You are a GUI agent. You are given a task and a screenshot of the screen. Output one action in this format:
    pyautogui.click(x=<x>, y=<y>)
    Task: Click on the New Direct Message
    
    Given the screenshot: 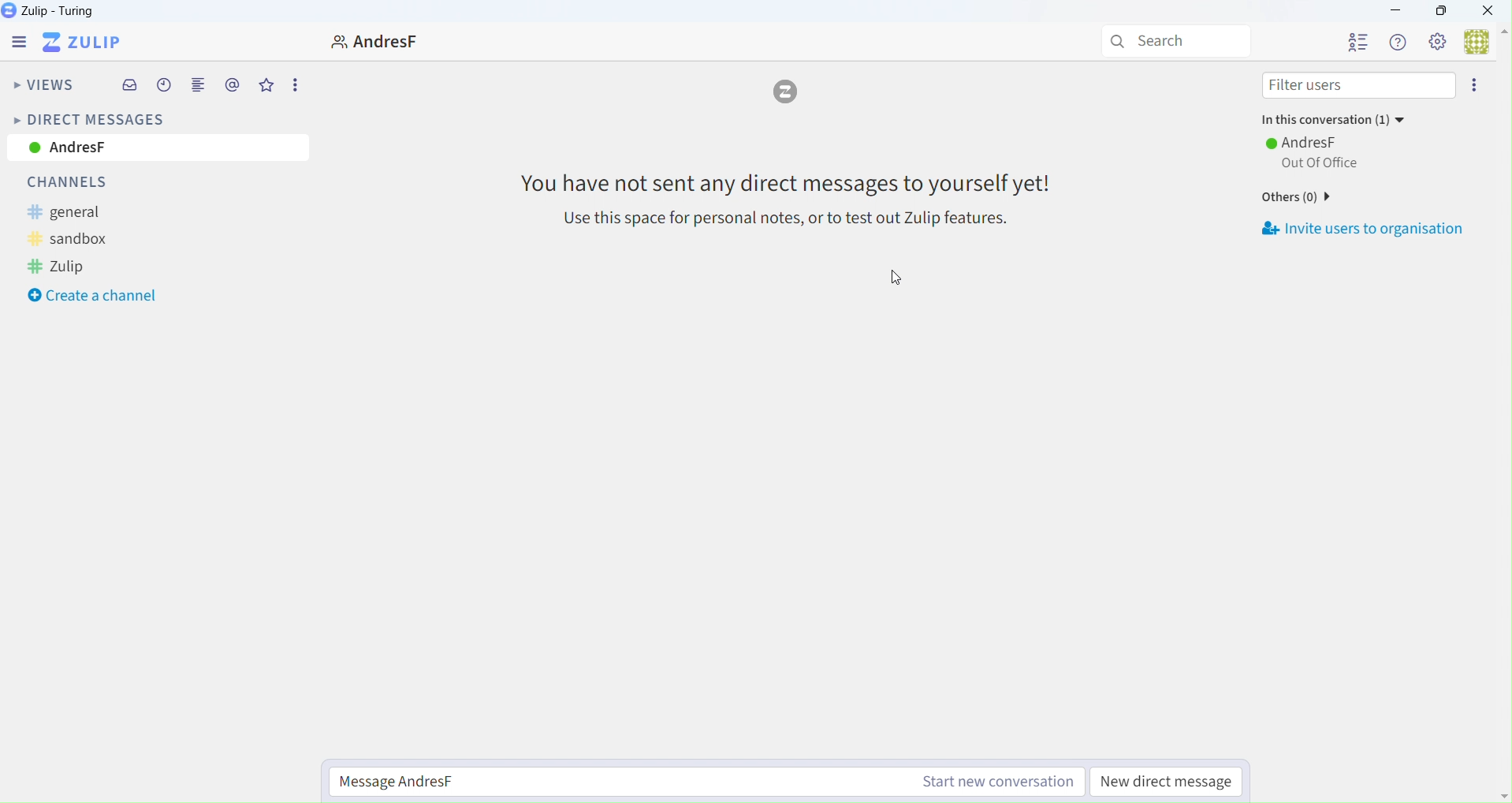 What is the action you would take?
    pyautogui.click(x=1170, y=782)
    